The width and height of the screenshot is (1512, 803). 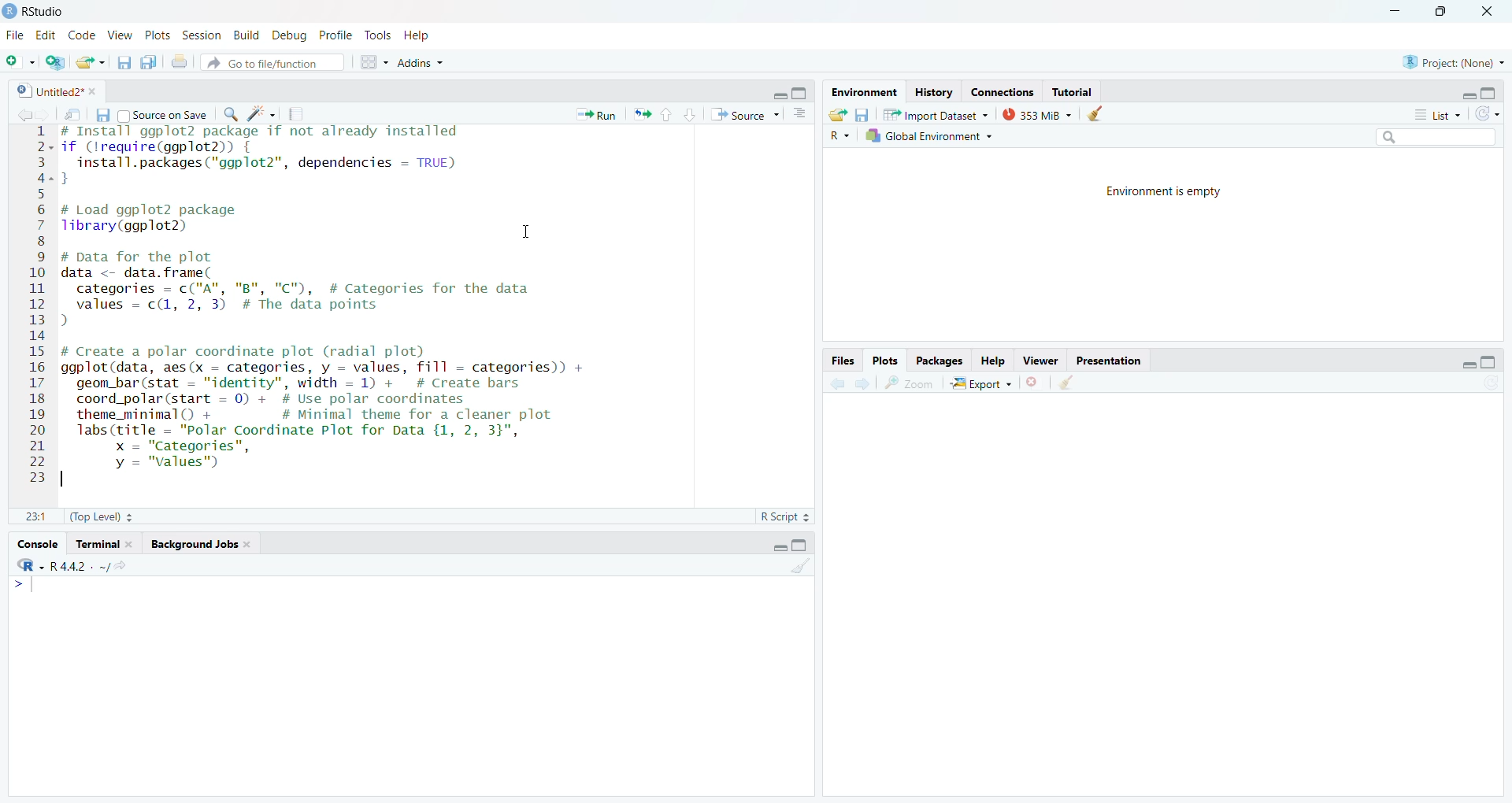 What do you see at coordinates (32, 516) in the screenshot?
I see `1:1` at bounding box center [32, 516].